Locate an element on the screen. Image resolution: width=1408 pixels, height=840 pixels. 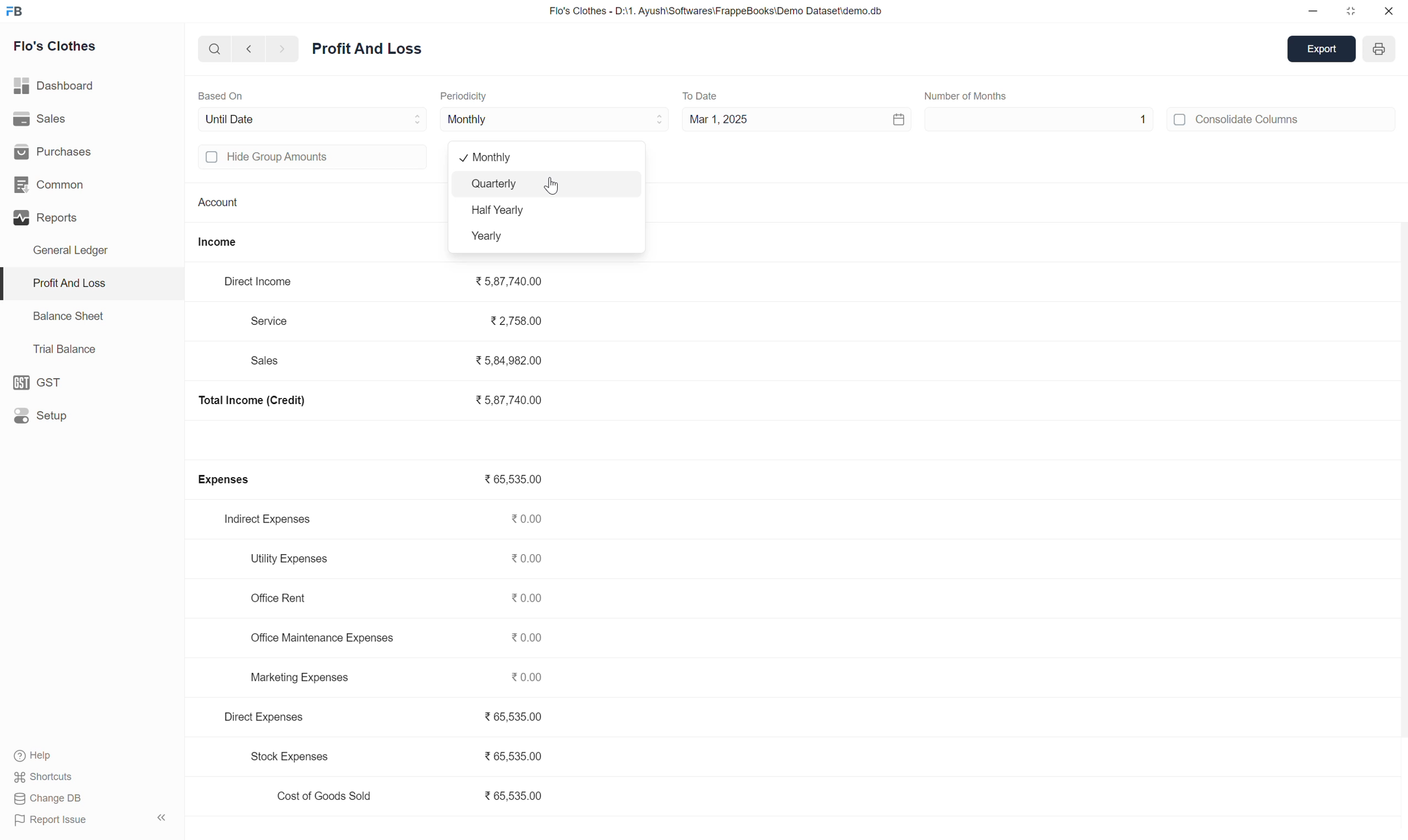
₹65,535.00 is located at coordinates (521, 752).